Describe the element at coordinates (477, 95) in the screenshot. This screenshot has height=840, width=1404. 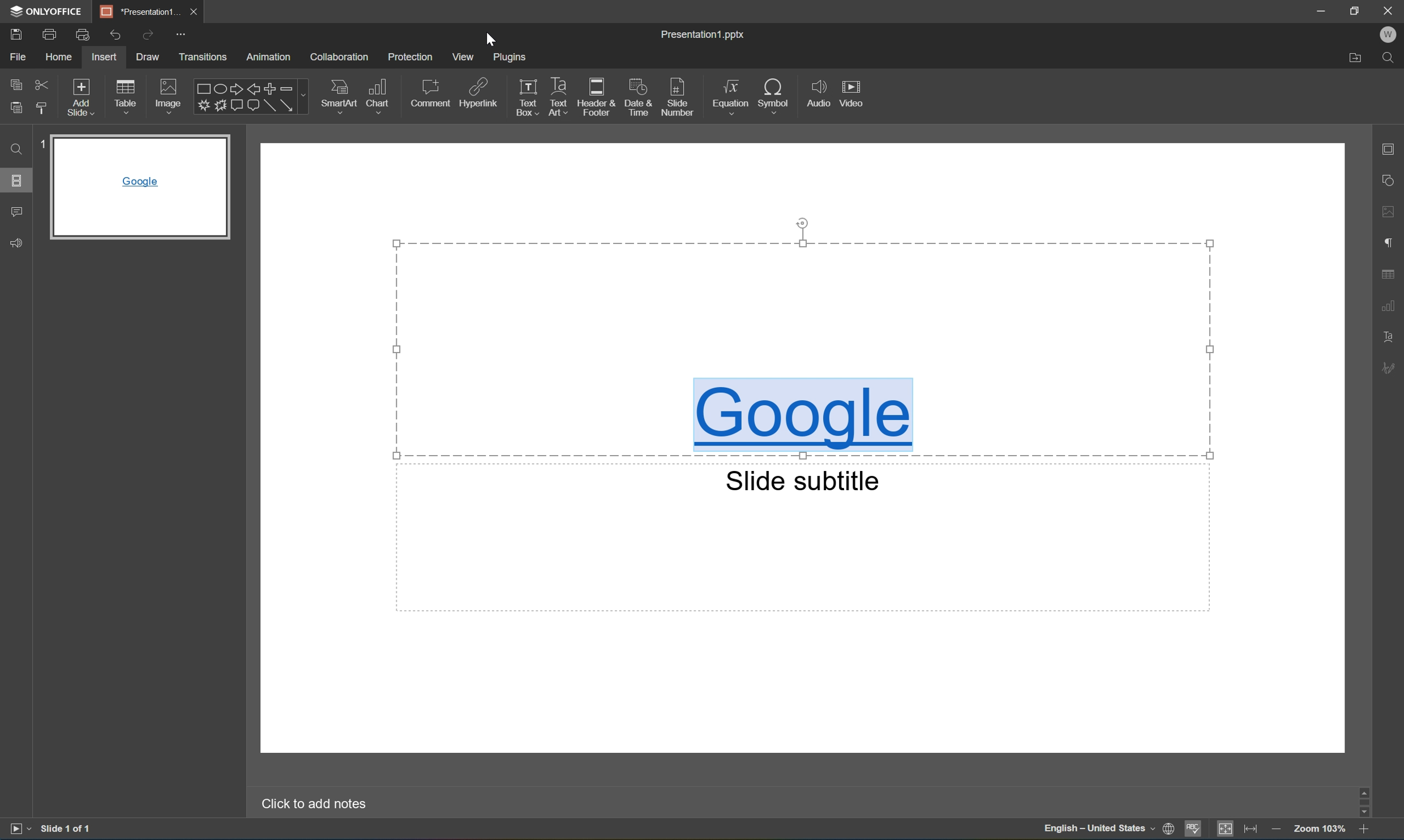
I see `Hyperlink` at that location.